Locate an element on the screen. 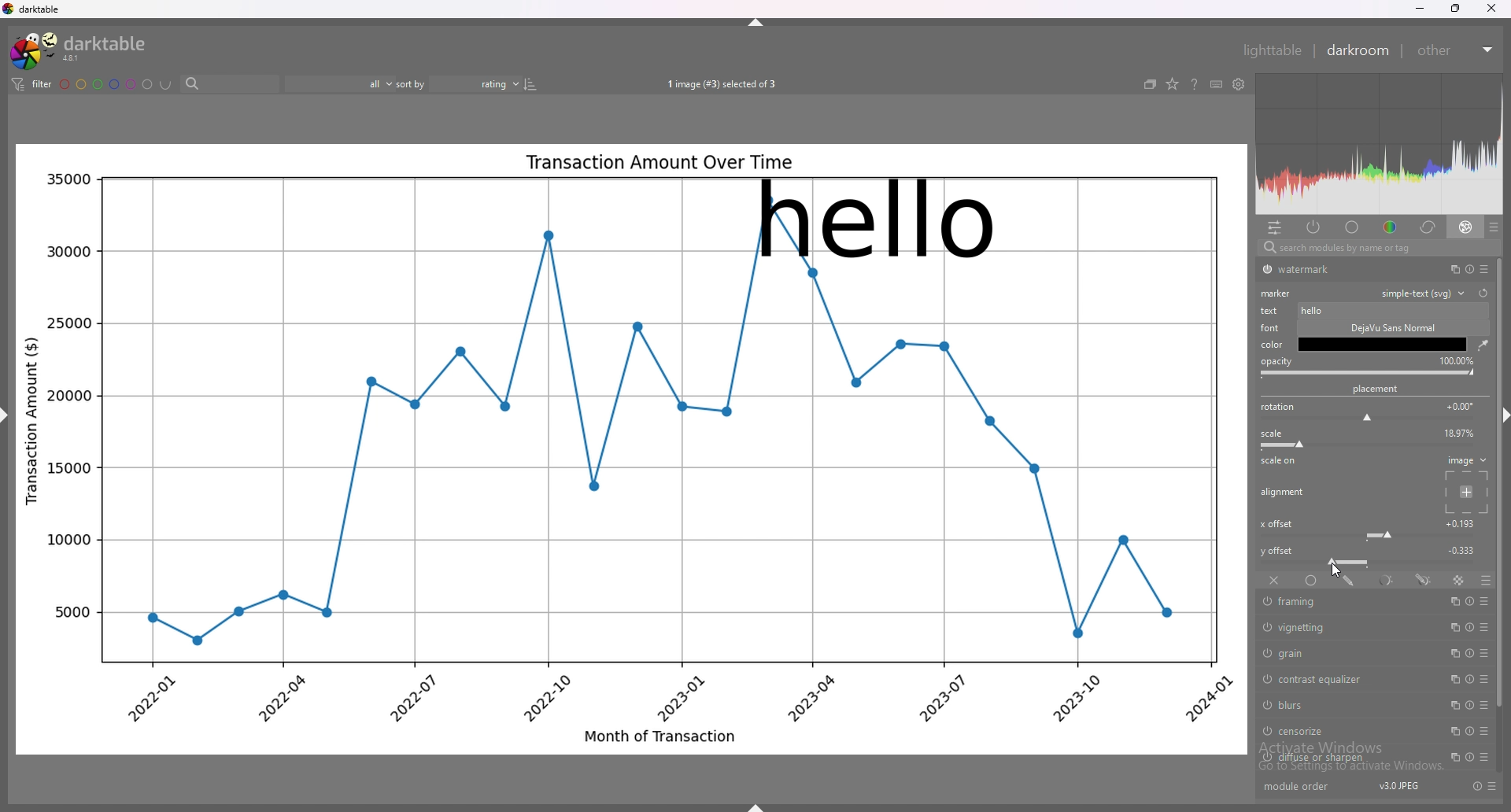  correct is located at coordinates (1426, 227).